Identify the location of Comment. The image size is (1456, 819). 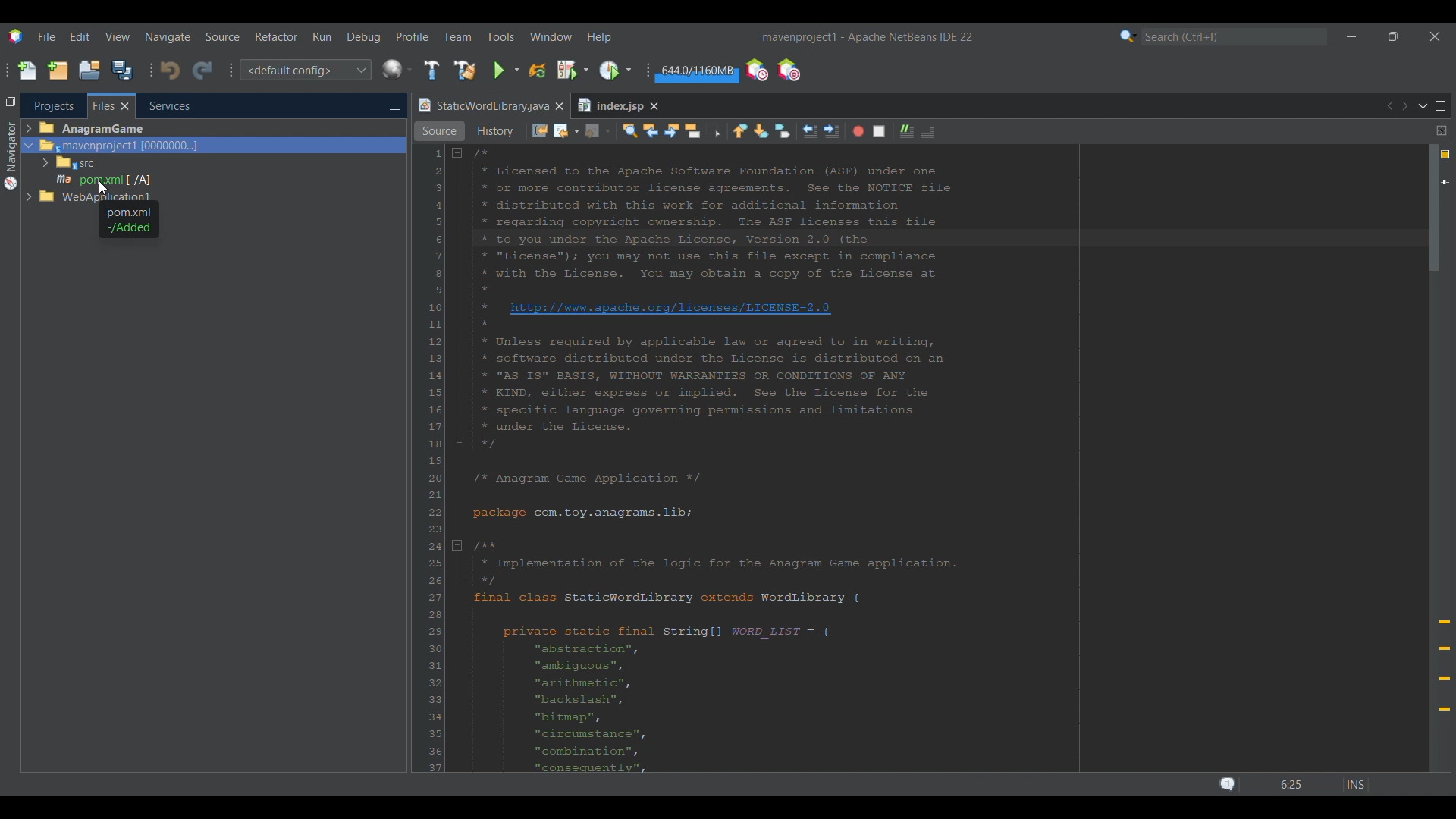
(907, 131).